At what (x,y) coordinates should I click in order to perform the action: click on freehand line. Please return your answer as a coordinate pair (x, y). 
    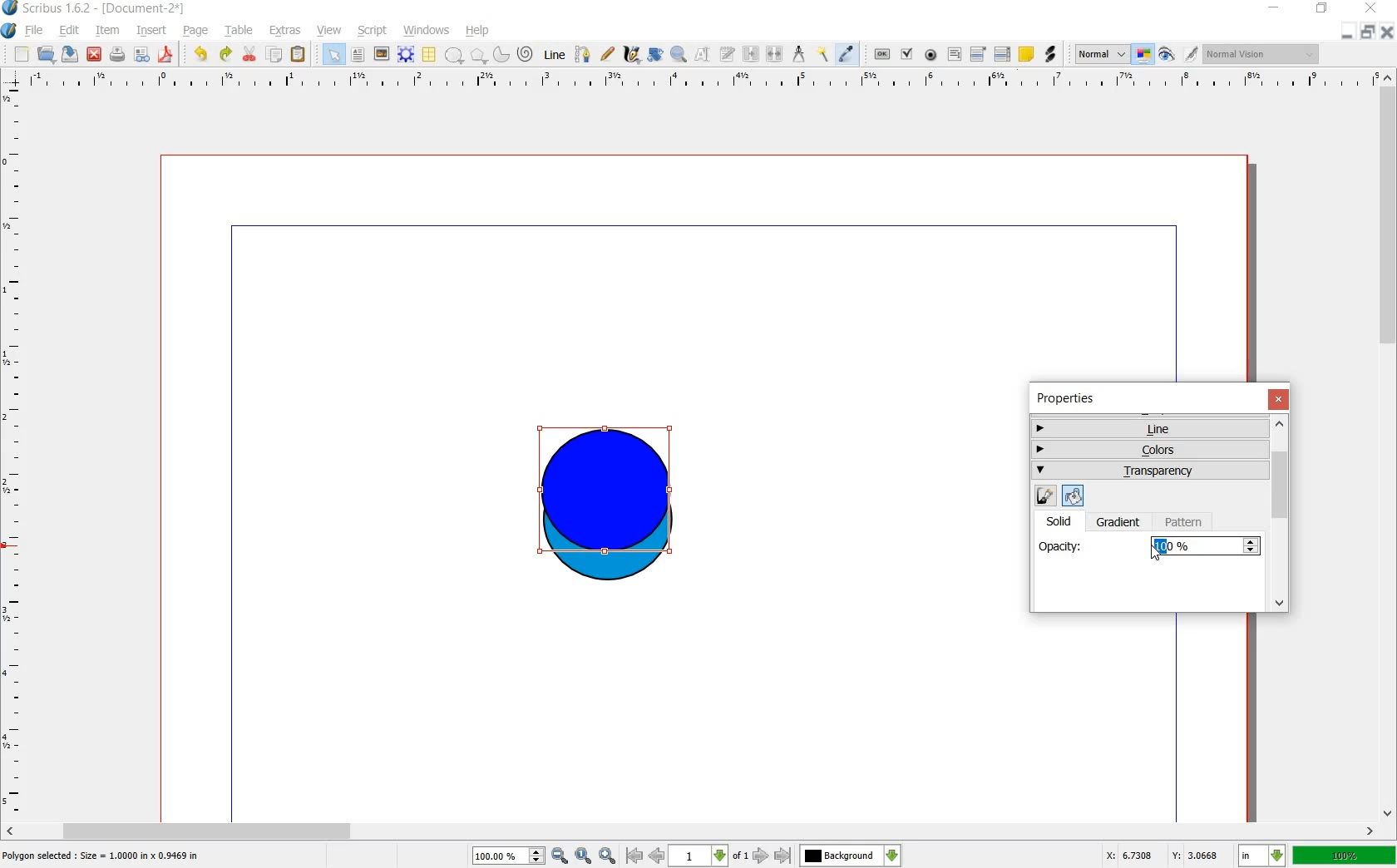
    Looking at the image, I should click on (609, 54).